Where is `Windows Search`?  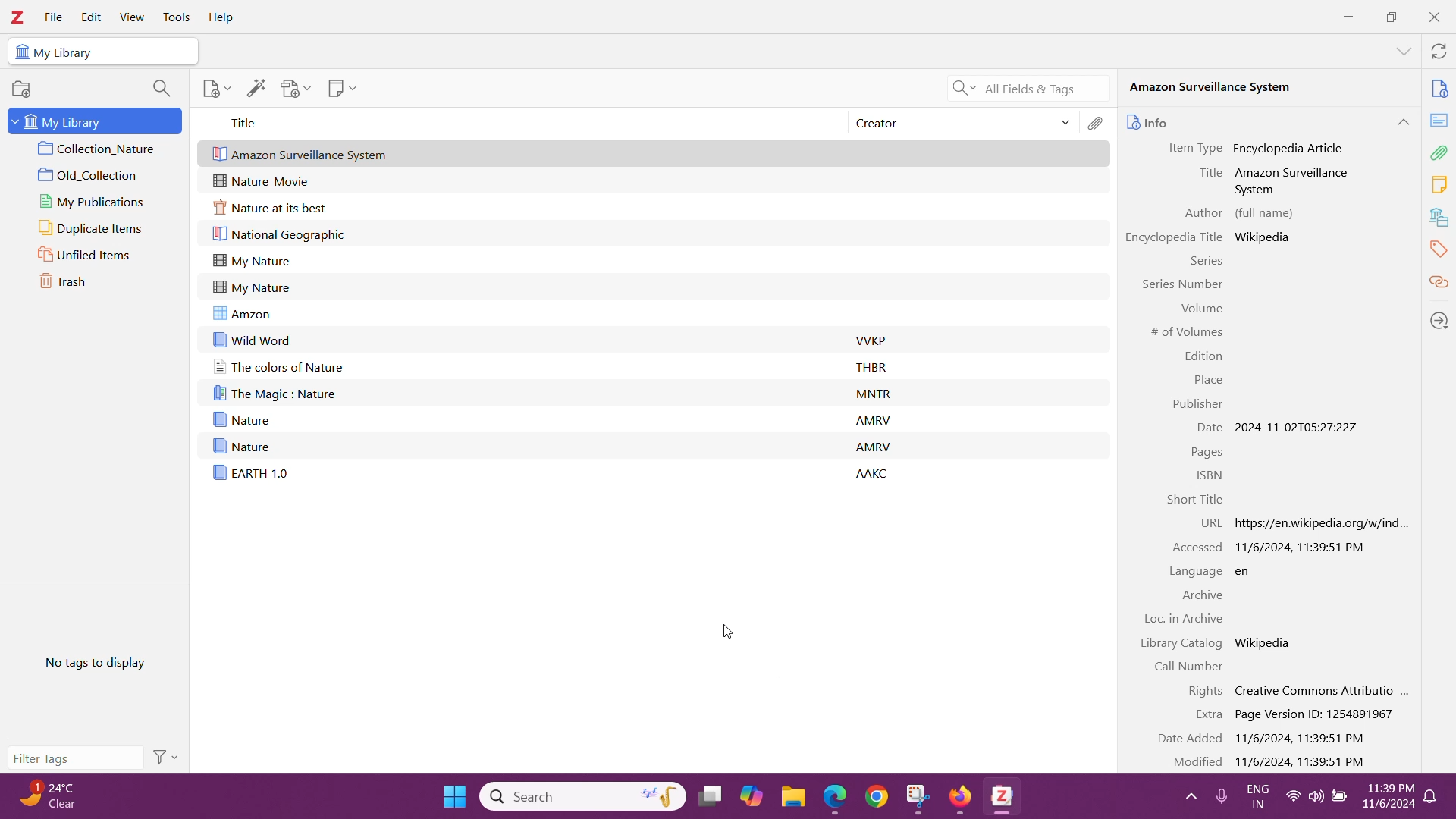
Windows Search is located at coordinates (581, 795).